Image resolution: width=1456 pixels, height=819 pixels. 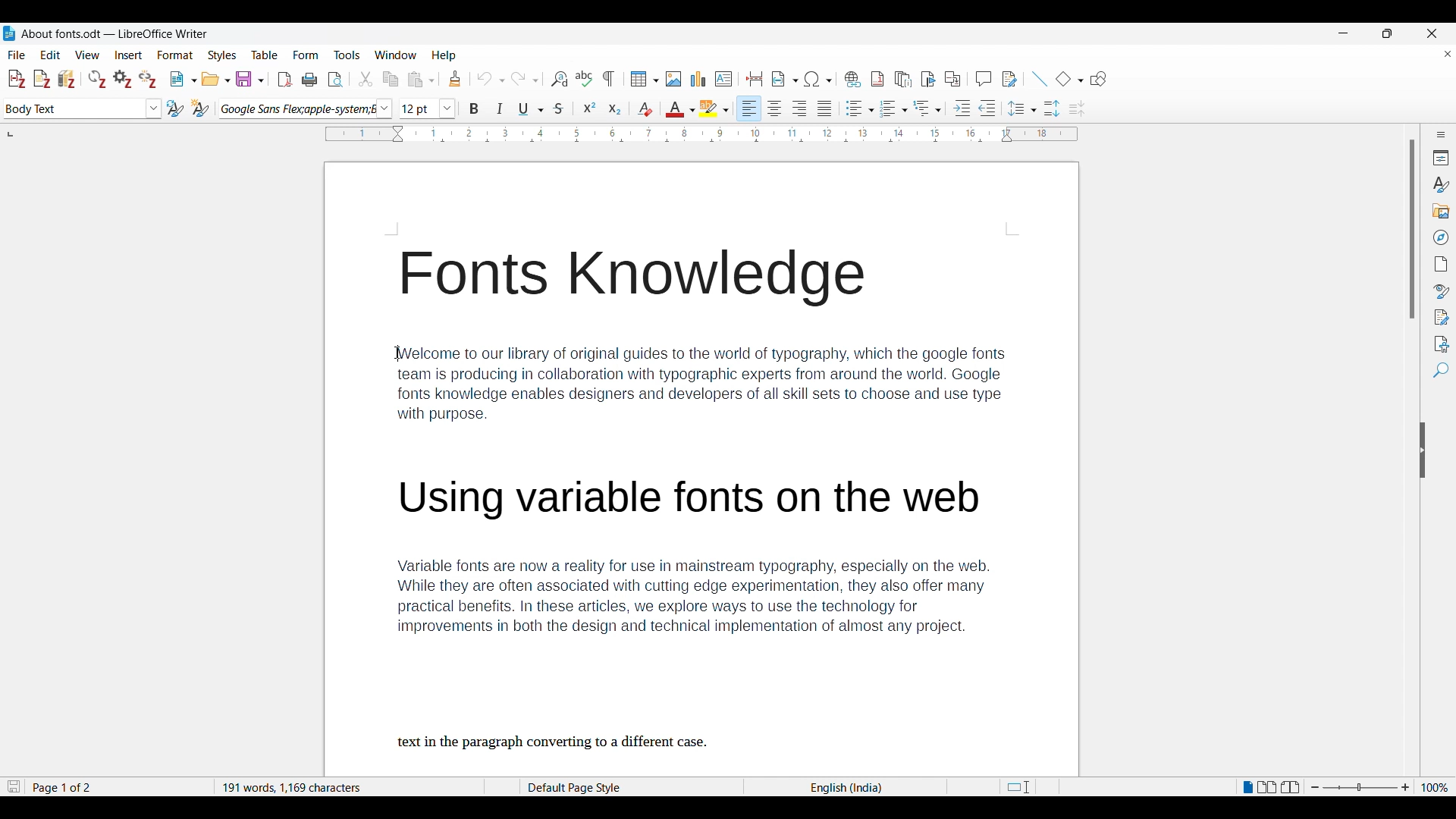 I want to click on Font options, so click(x=306, y=108).